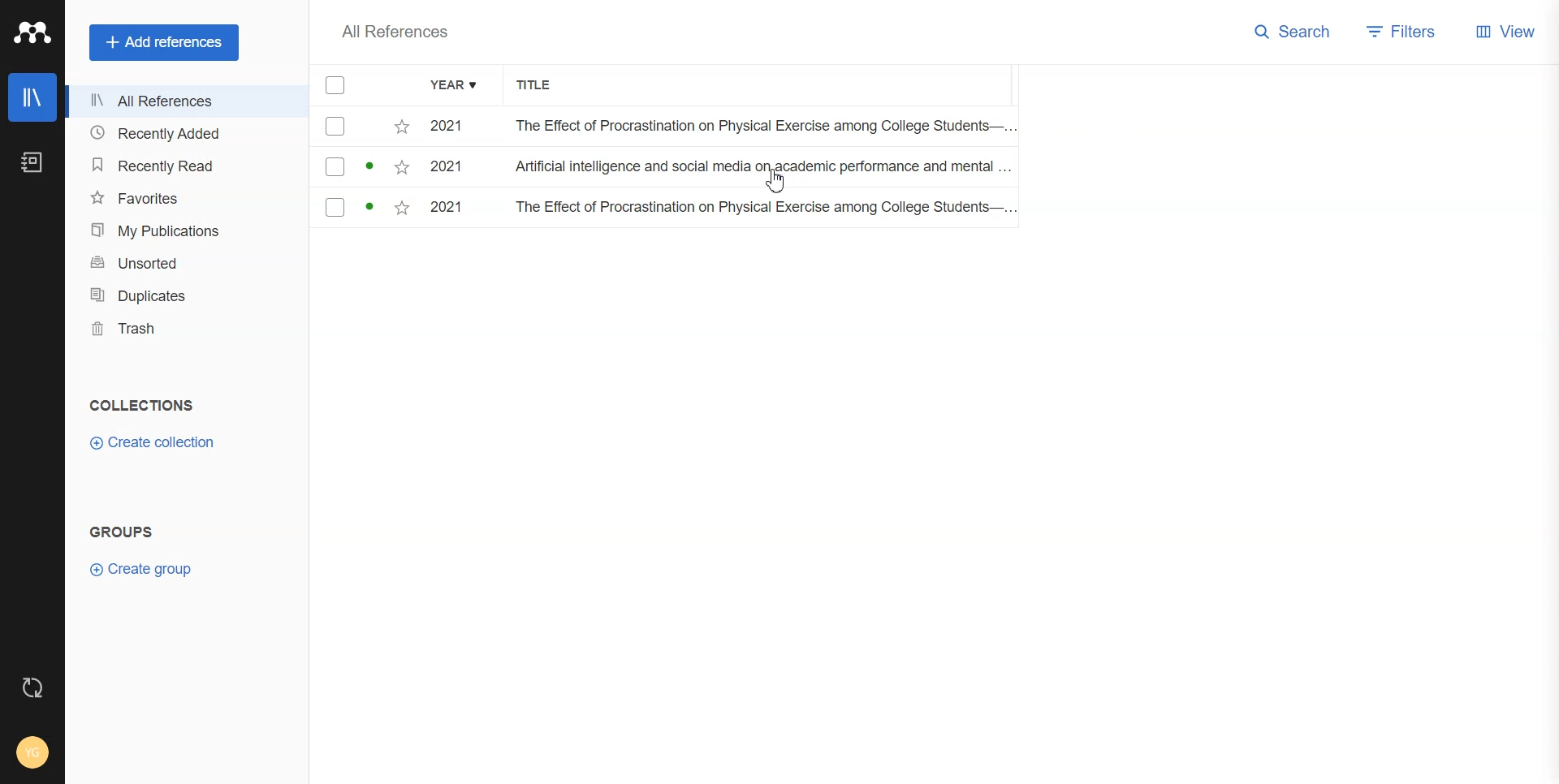  Describe the element at coordinates (32, 33) in the screenshot. I see `Logo` at that location.